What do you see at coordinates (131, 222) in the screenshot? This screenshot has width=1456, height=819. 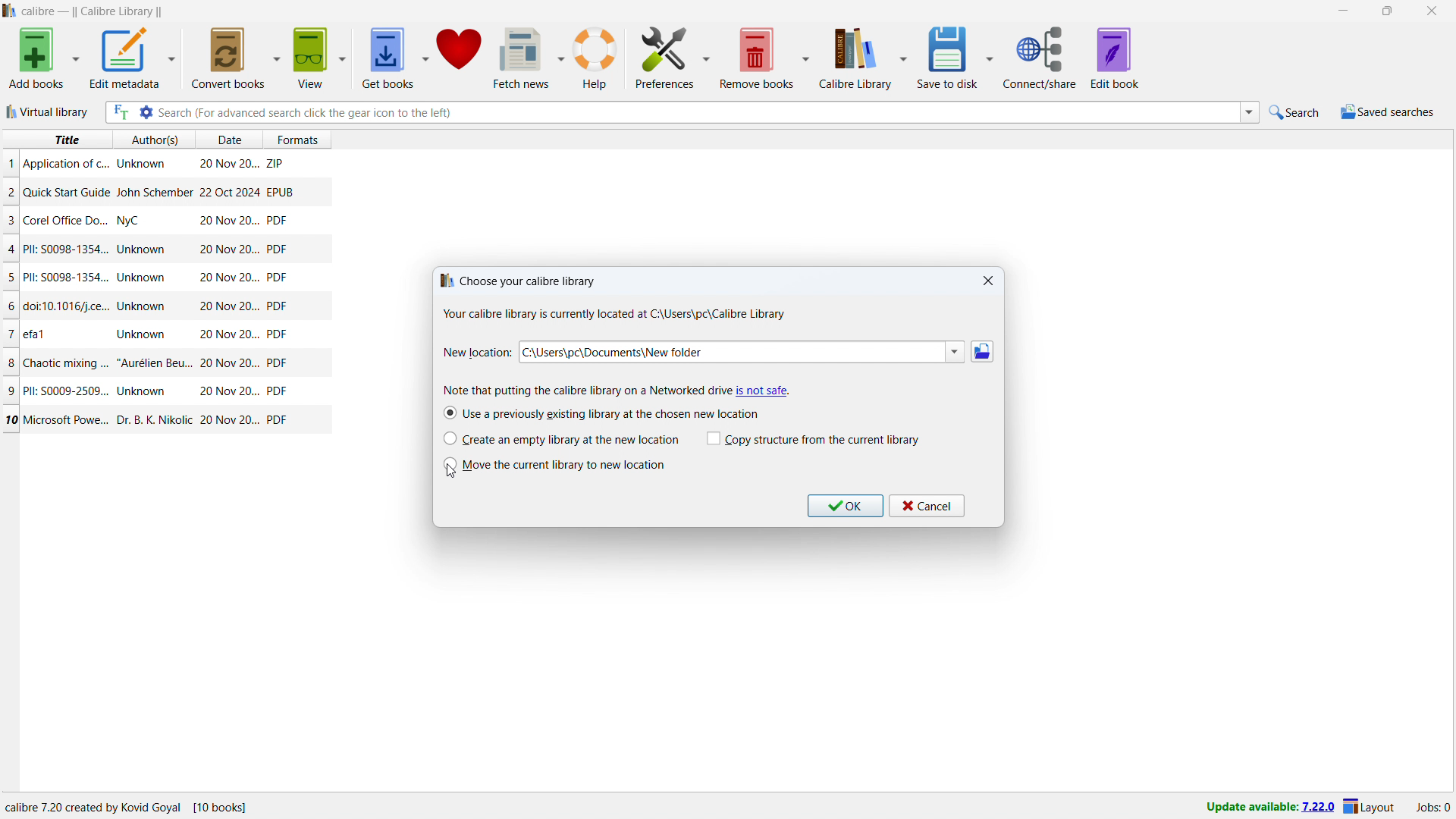 I see `Author` at bounding box center [131, 222].